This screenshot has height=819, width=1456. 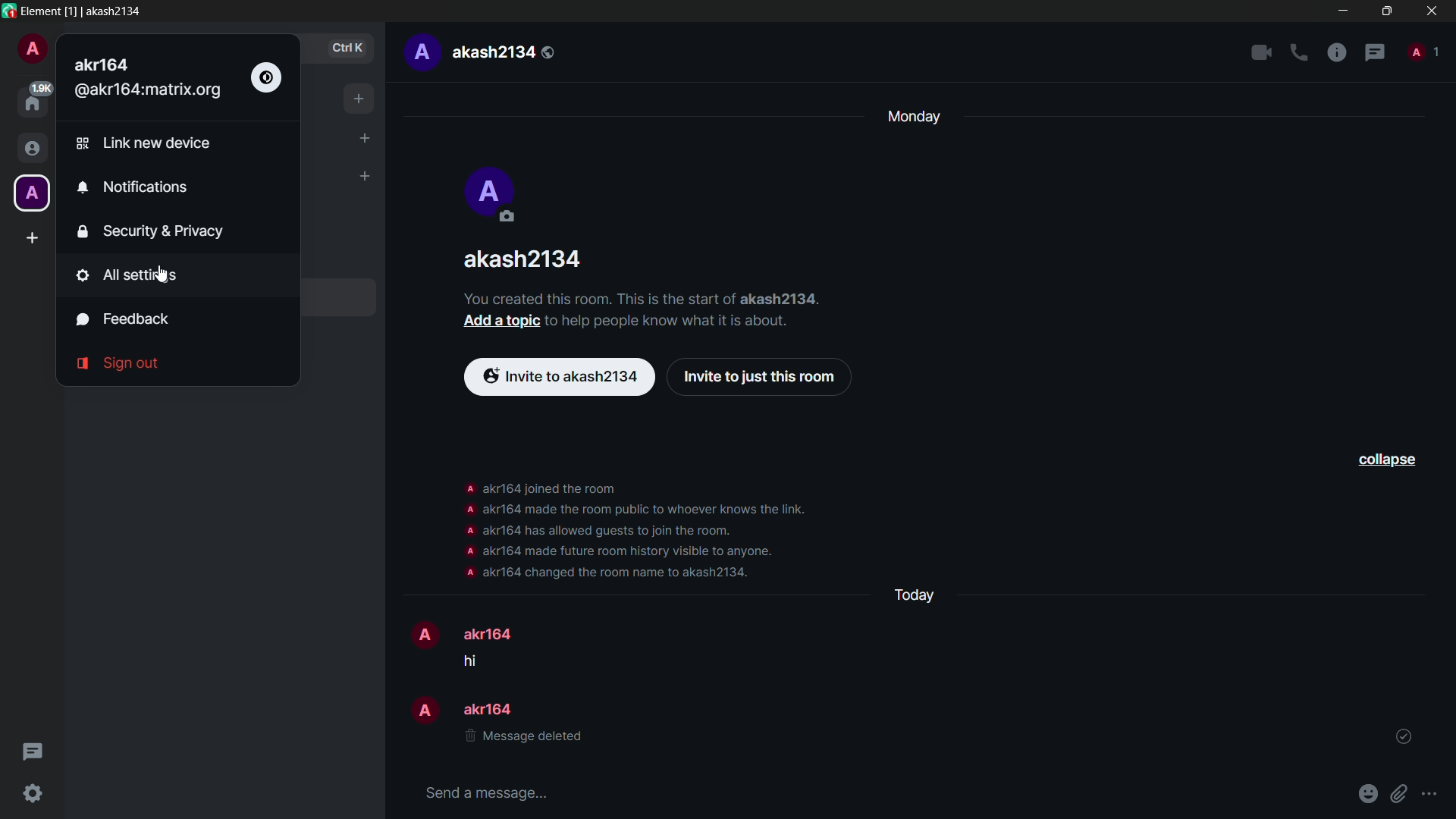 What do you see at coordinates (476, 661) in the screenshot?
I see `message` at bounding box center [476, 661].